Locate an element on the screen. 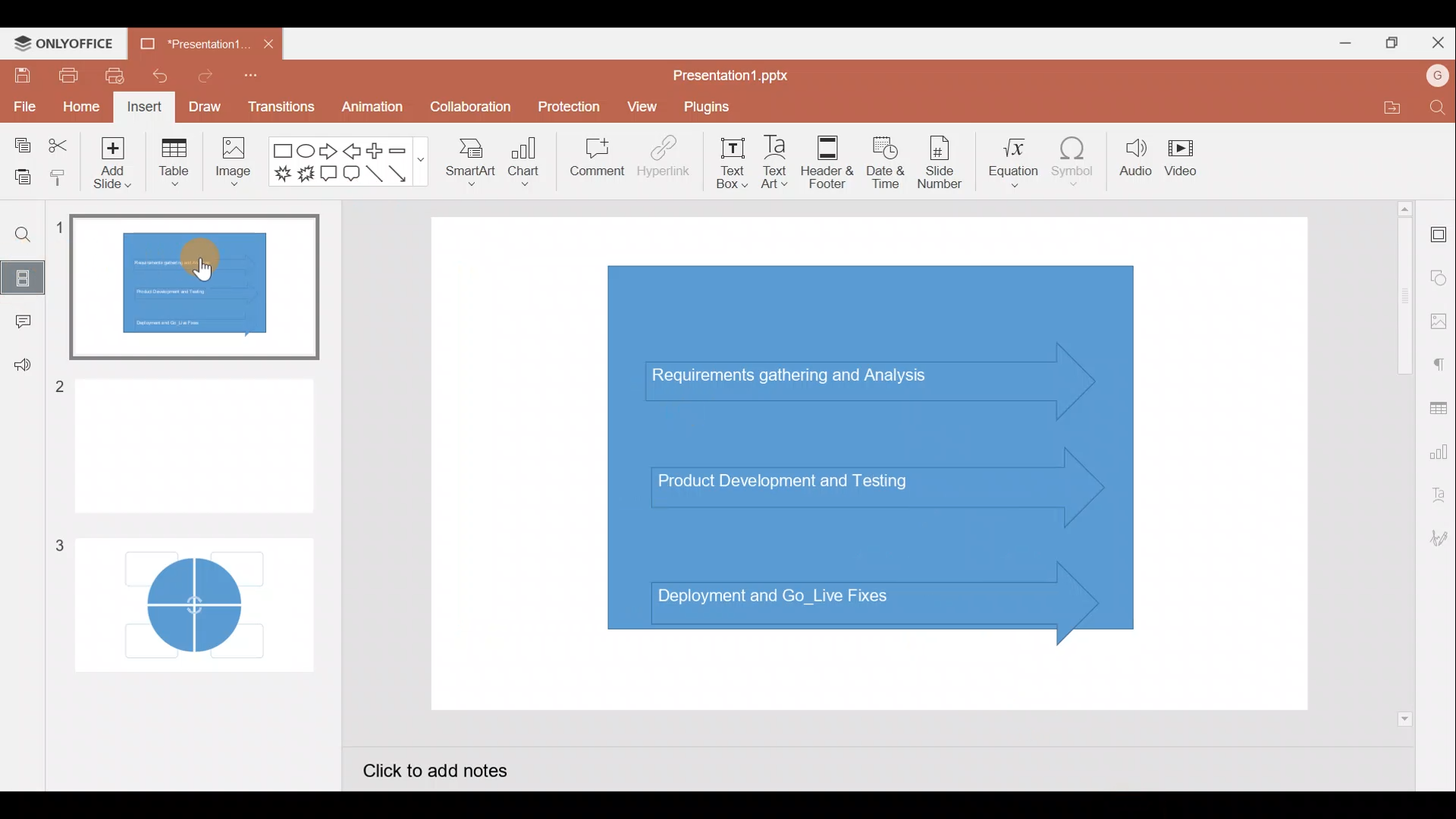 This screenshot has width=1456, height=819. Shape settings is located at coordinates (1439, 272).